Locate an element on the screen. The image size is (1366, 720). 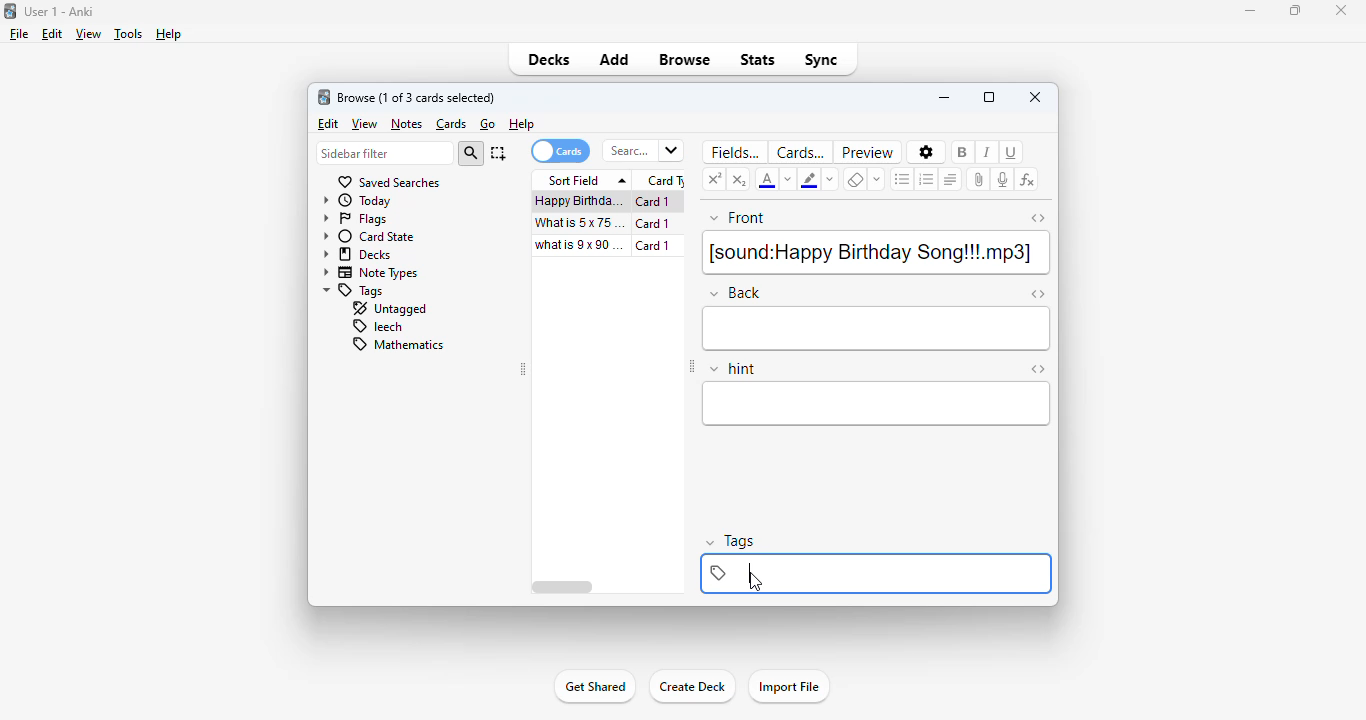
toggle HTML editor is located at coordinates (1037, 218).